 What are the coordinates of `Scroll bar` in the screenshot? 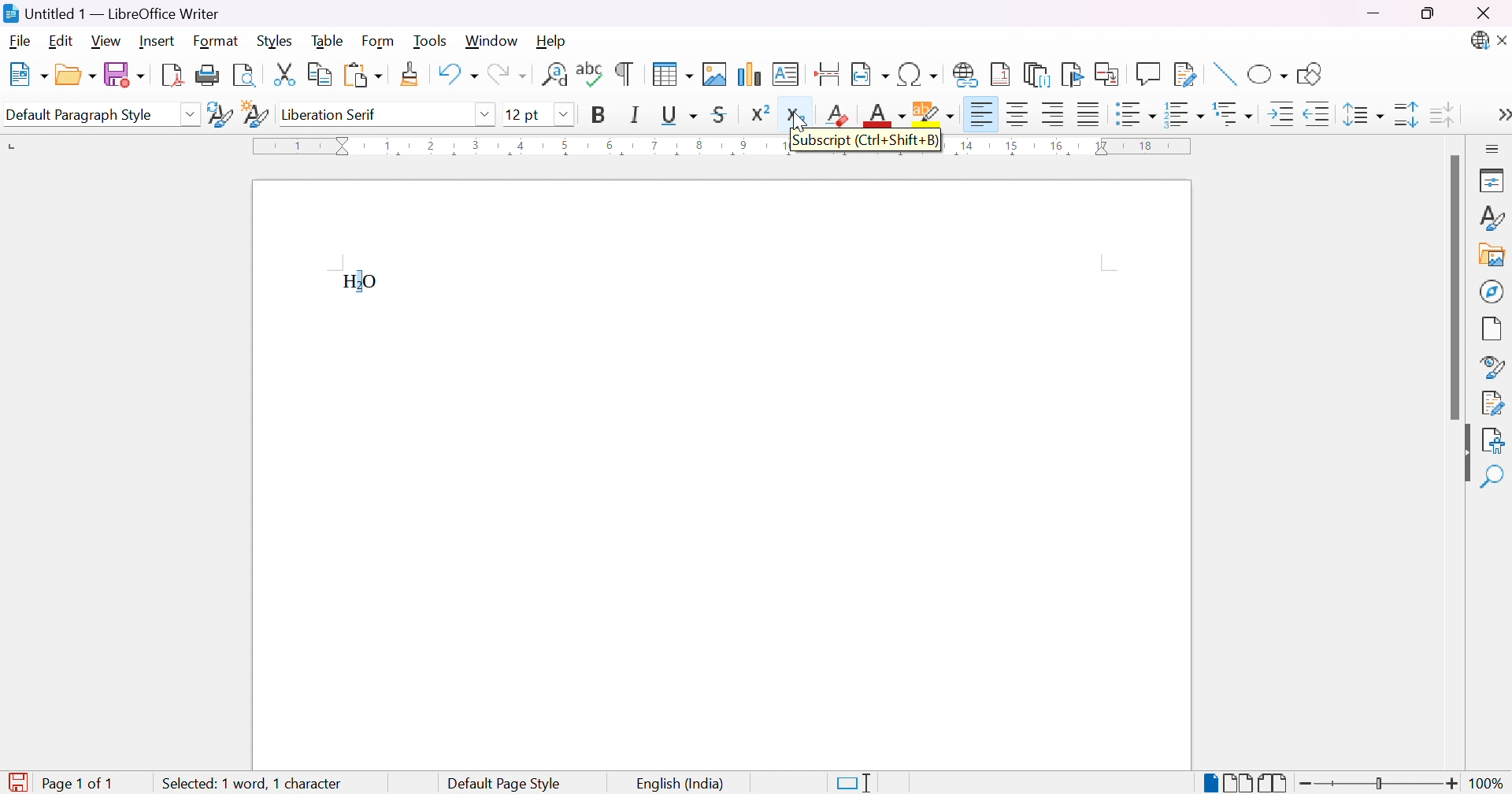 It's located at (1453, 288).